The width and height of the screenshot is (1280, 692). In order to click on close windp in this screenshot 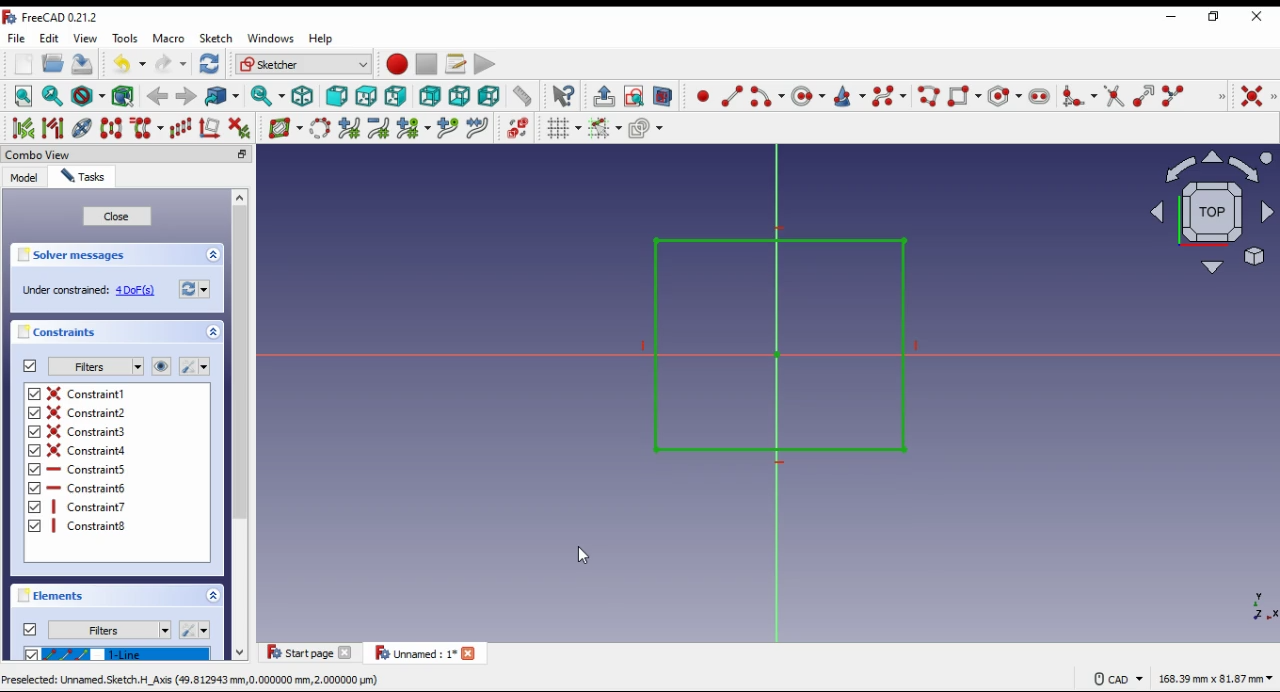, I will do `click(1258, 16)`.